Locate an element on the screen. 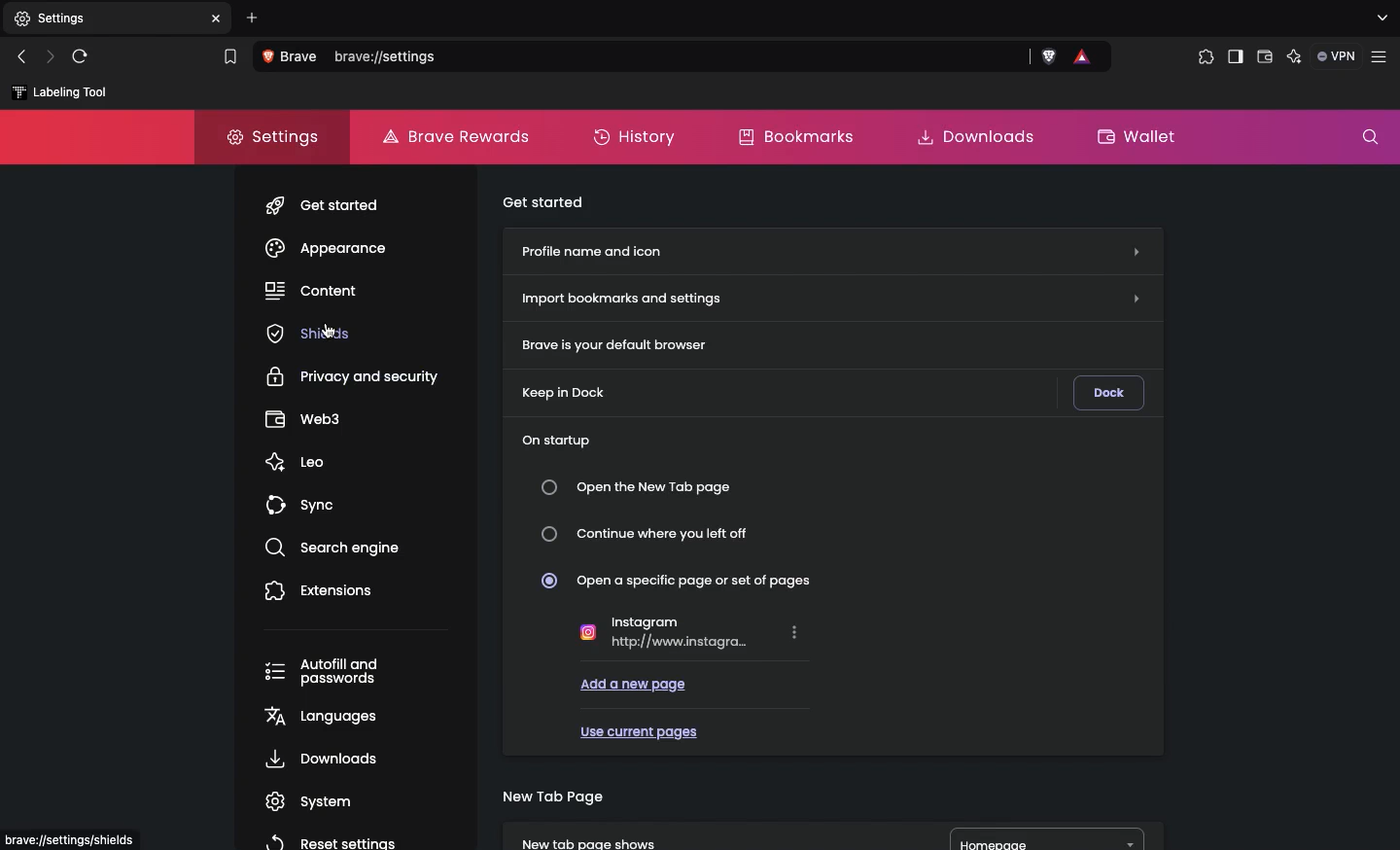 This screenshot has width=1400, height=850. close tab is located at coordinates (218, 18).